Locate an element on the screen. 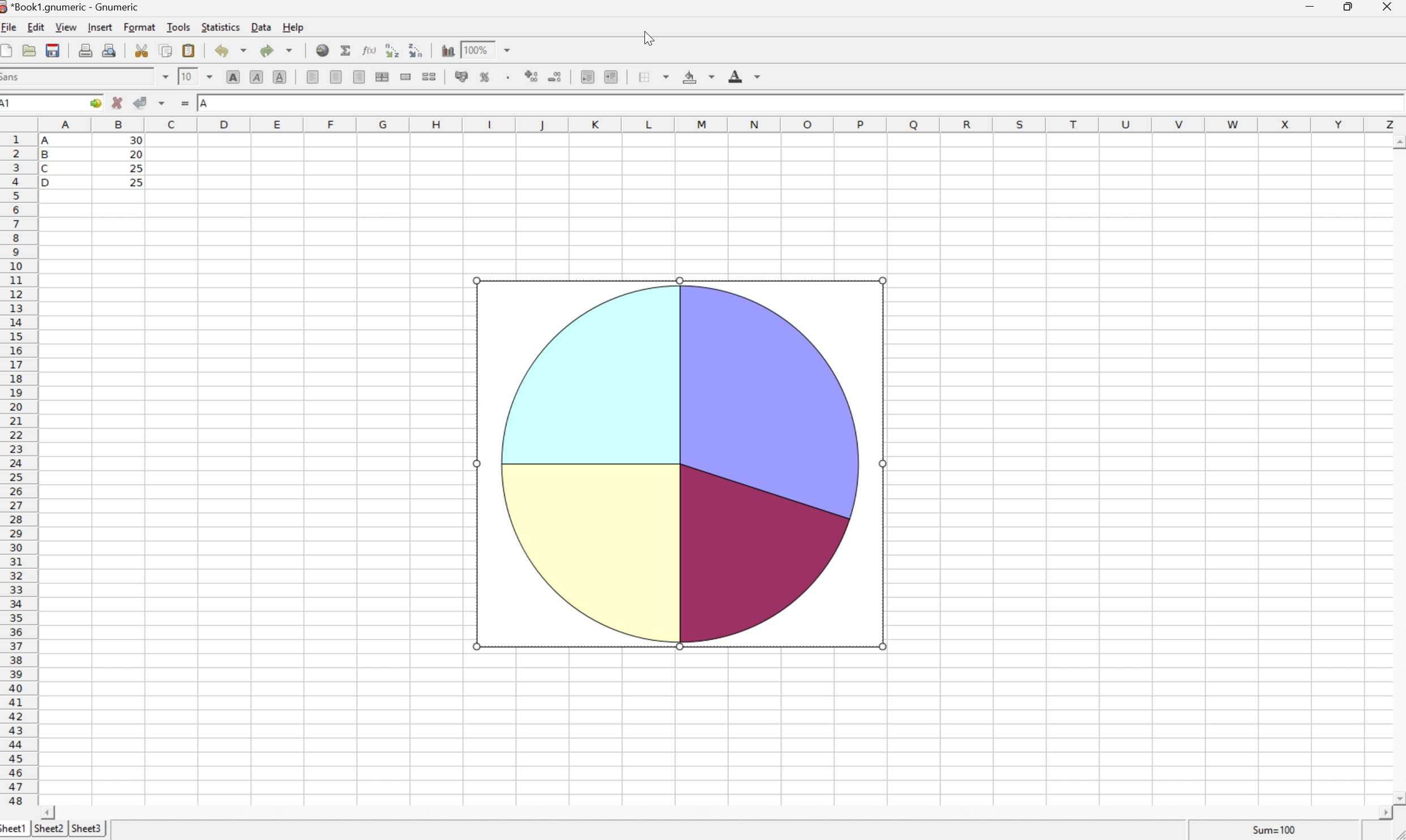 This screenshot has width=1406, height=840. Save the current workbook is located at coordinates (52, 50).